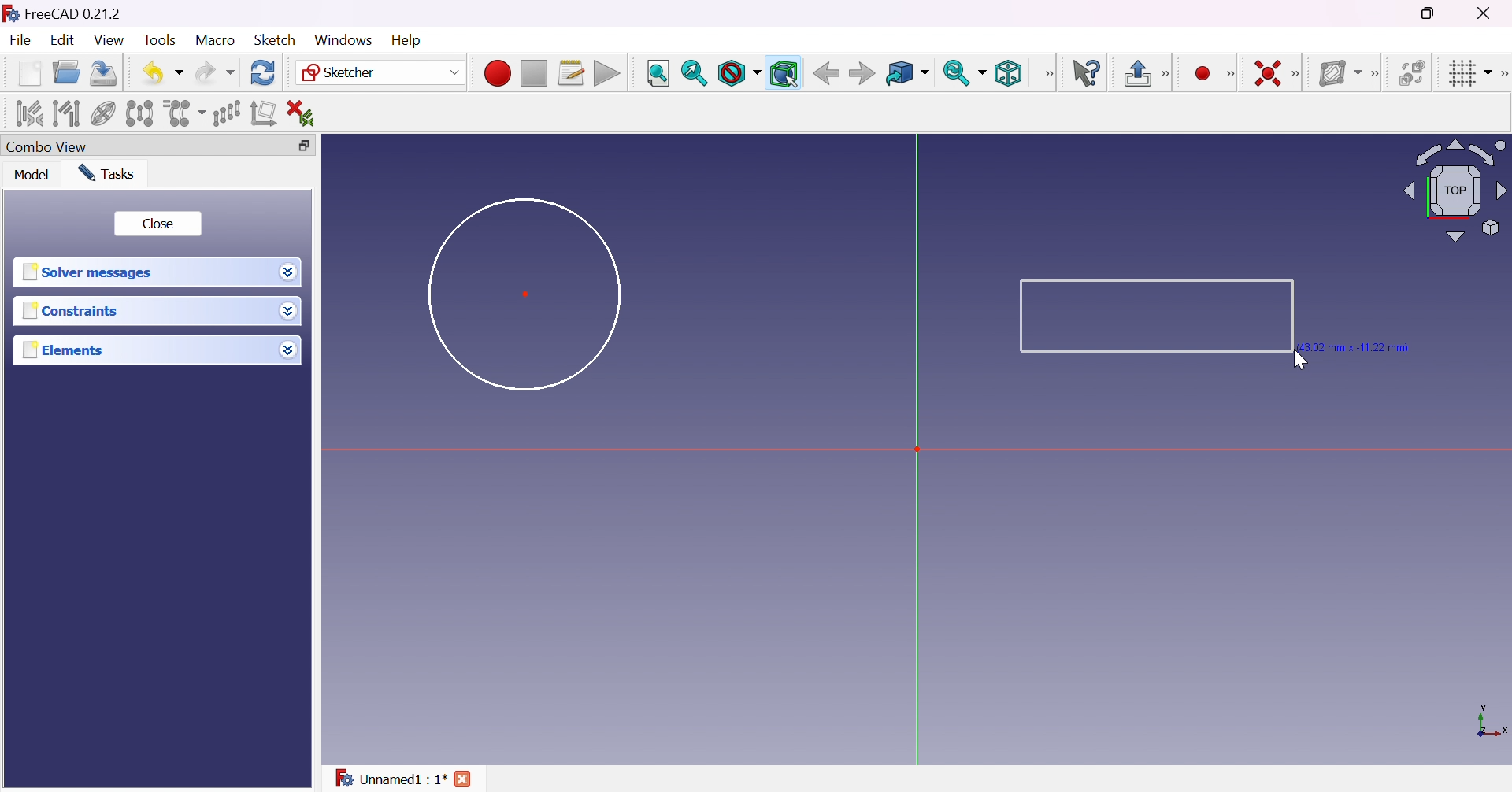 Image resolution: width=1512 pixels, height=792 pixels. Describe the element at coordinates (378, 72) in the screenshot. I see `Sketcher` at that location.